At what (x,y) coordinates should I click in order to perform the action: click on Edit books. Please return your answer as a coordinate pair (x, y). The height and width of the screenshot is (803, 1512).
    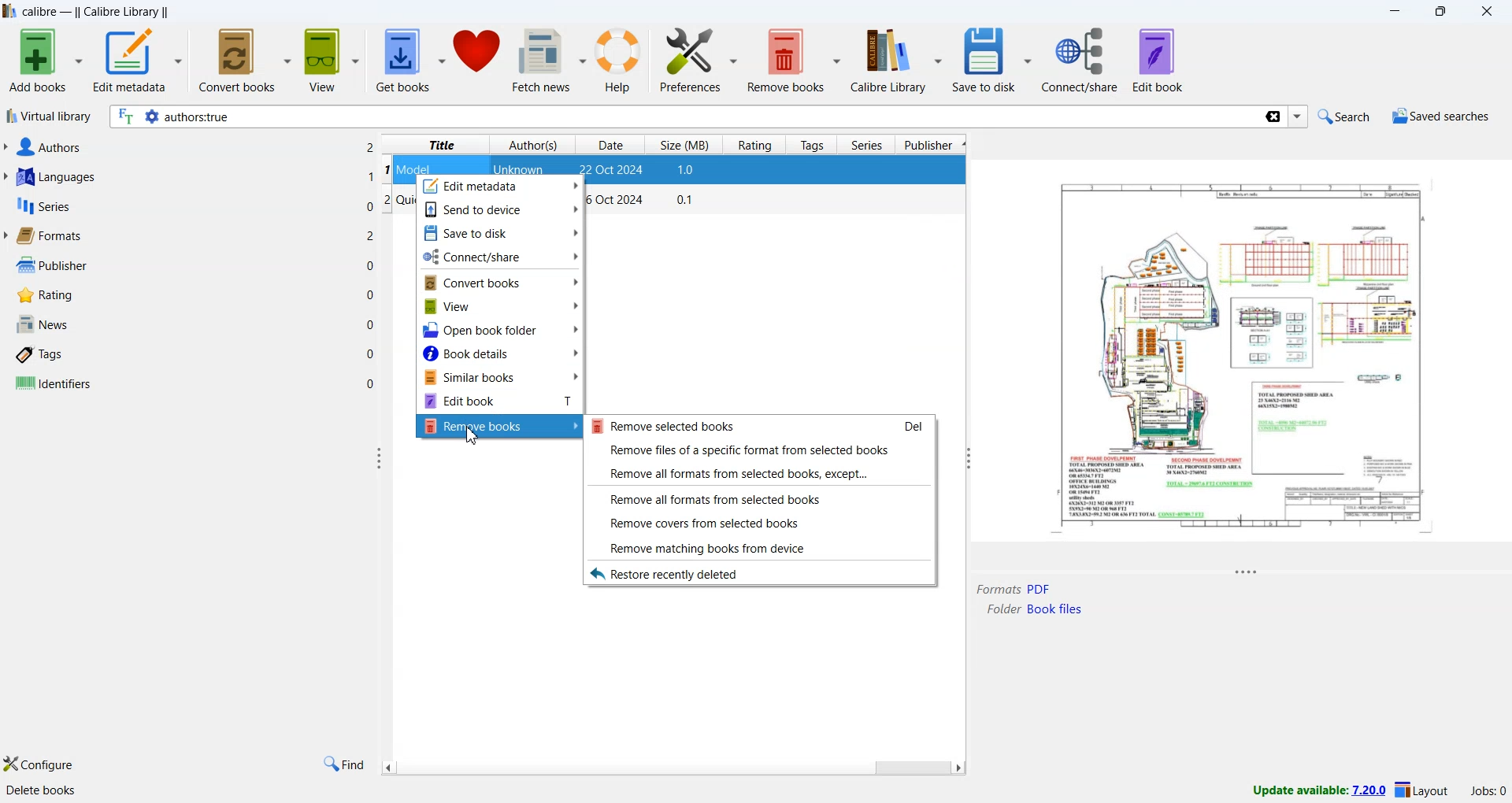
    Looking at the image, I should click on (500, 401).